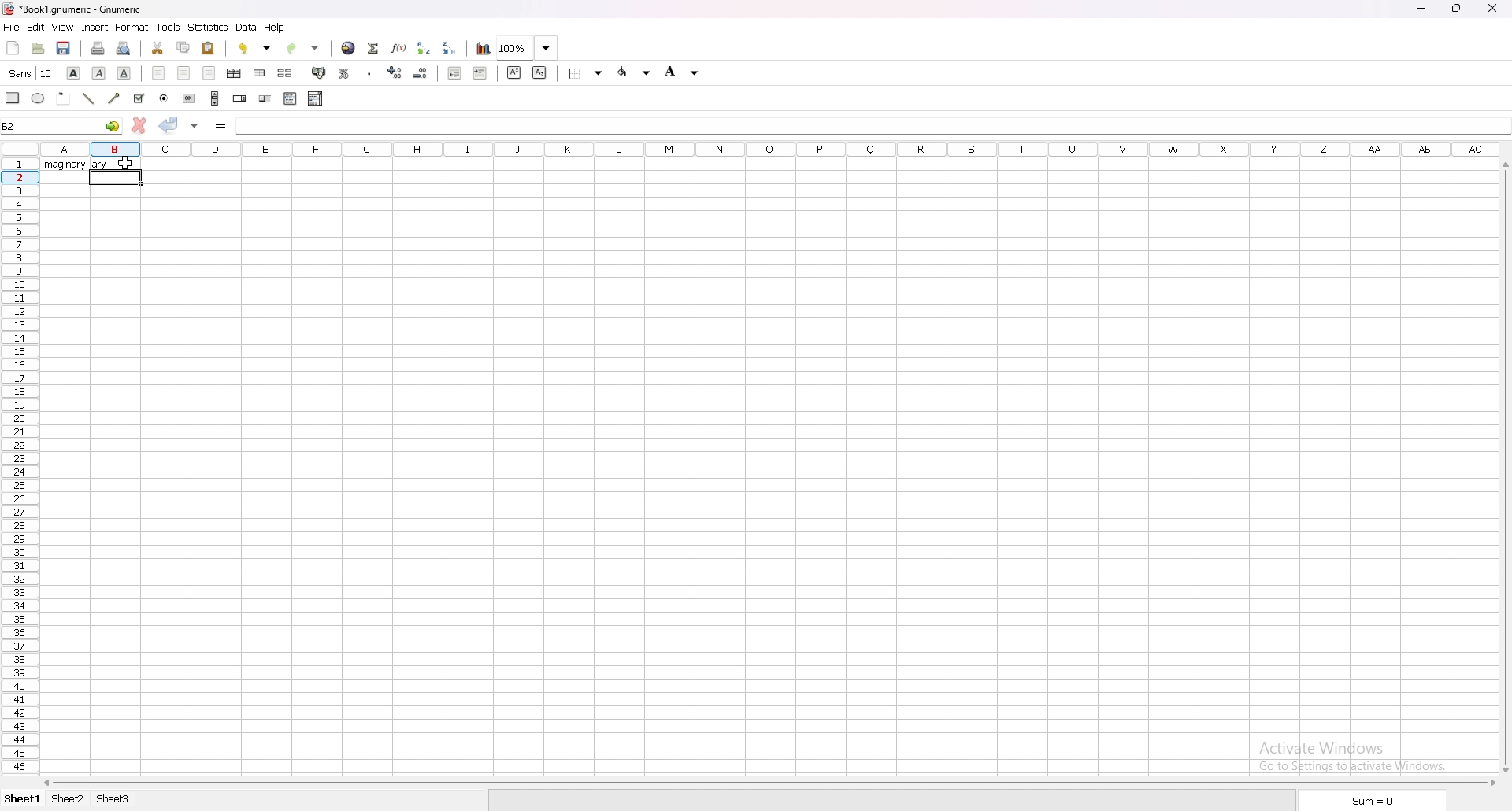  I want to click on percentage, so click(344, 72).